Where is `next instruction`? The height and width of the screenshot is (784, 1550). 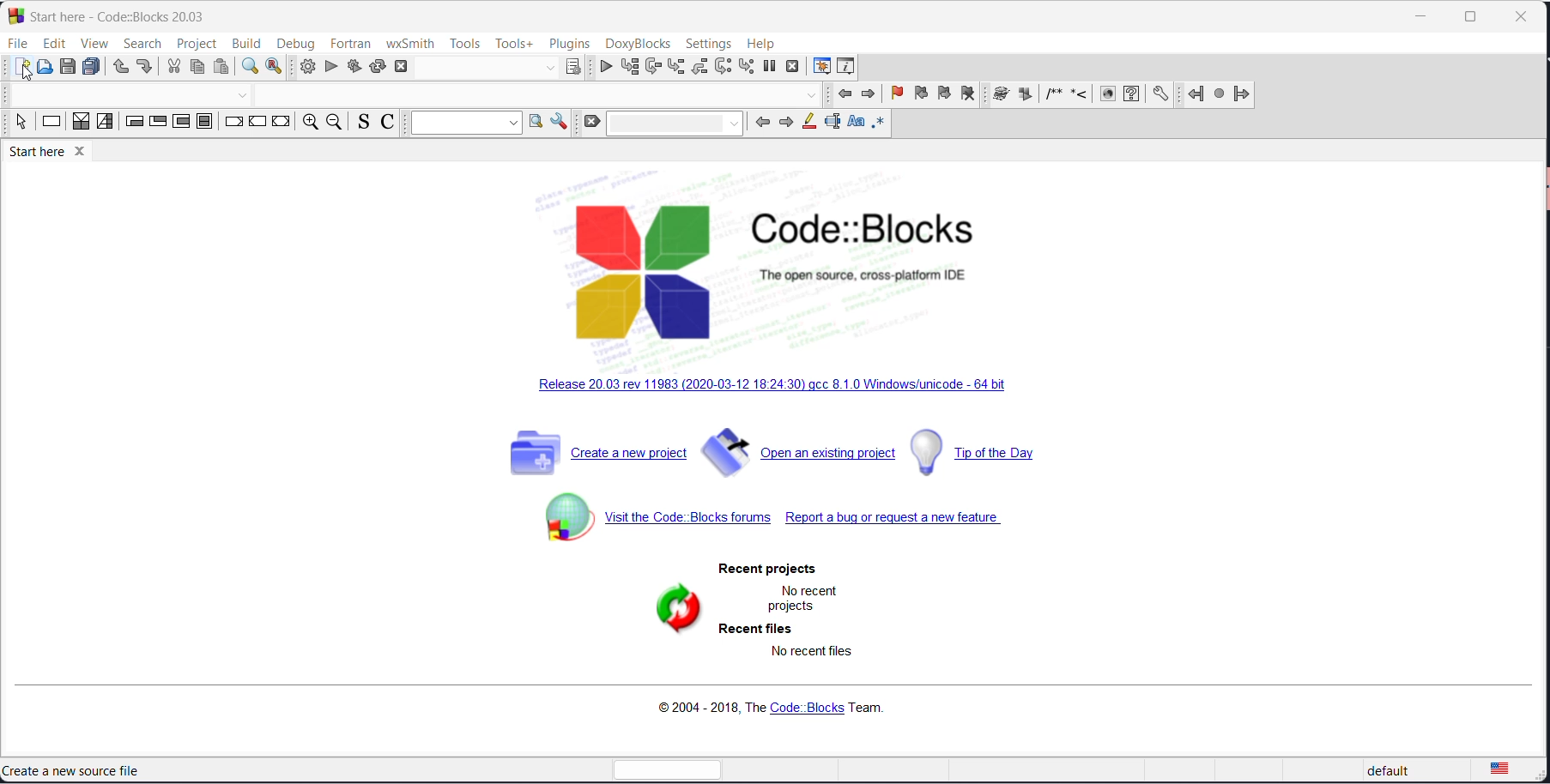 next instruction is located at coordinates (721, 67).